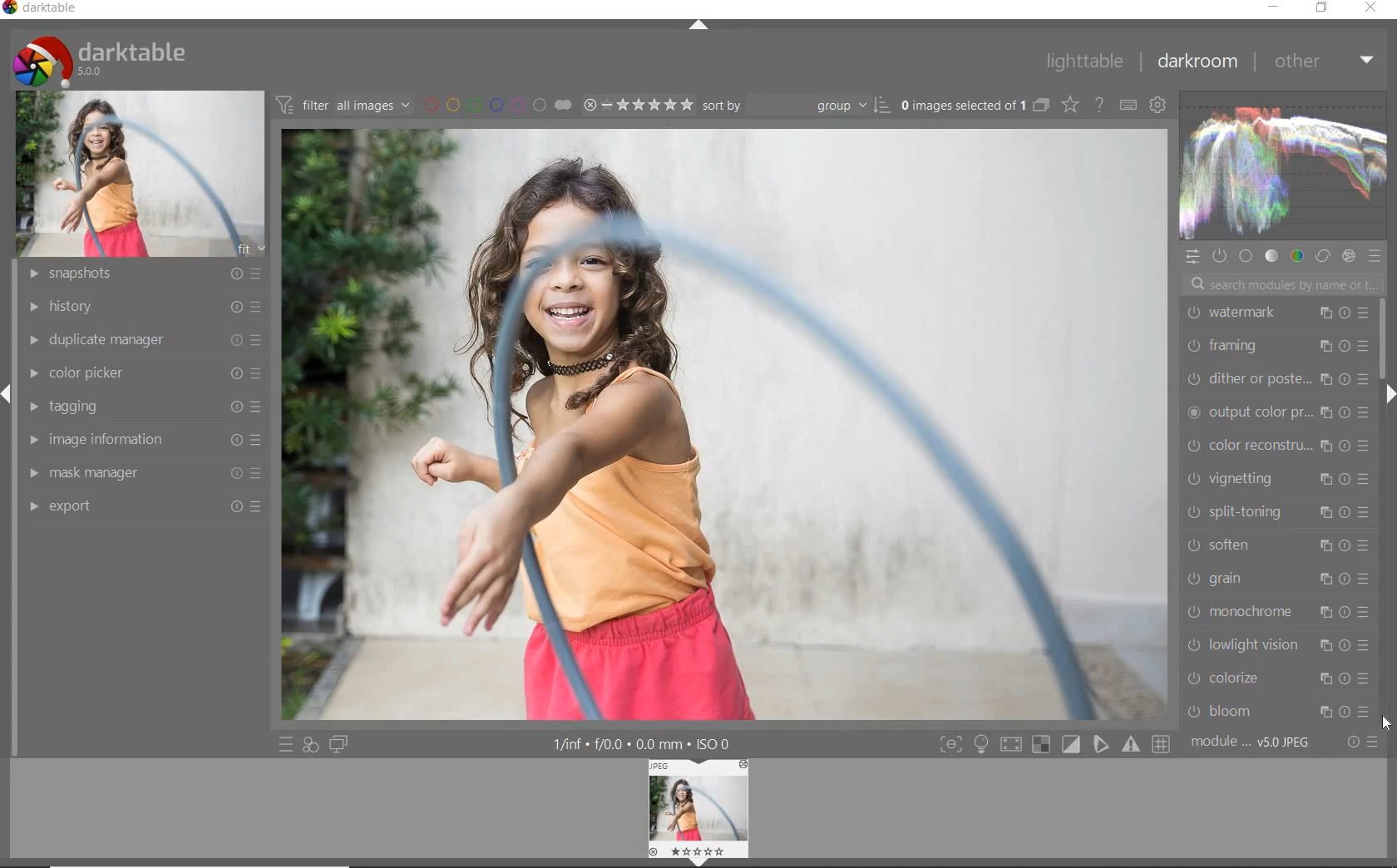 The image size is (1397, 868). What do you see at coordinates (143, 407) in the screenshot?
I see `tagging` at bounding box center [143, 407].